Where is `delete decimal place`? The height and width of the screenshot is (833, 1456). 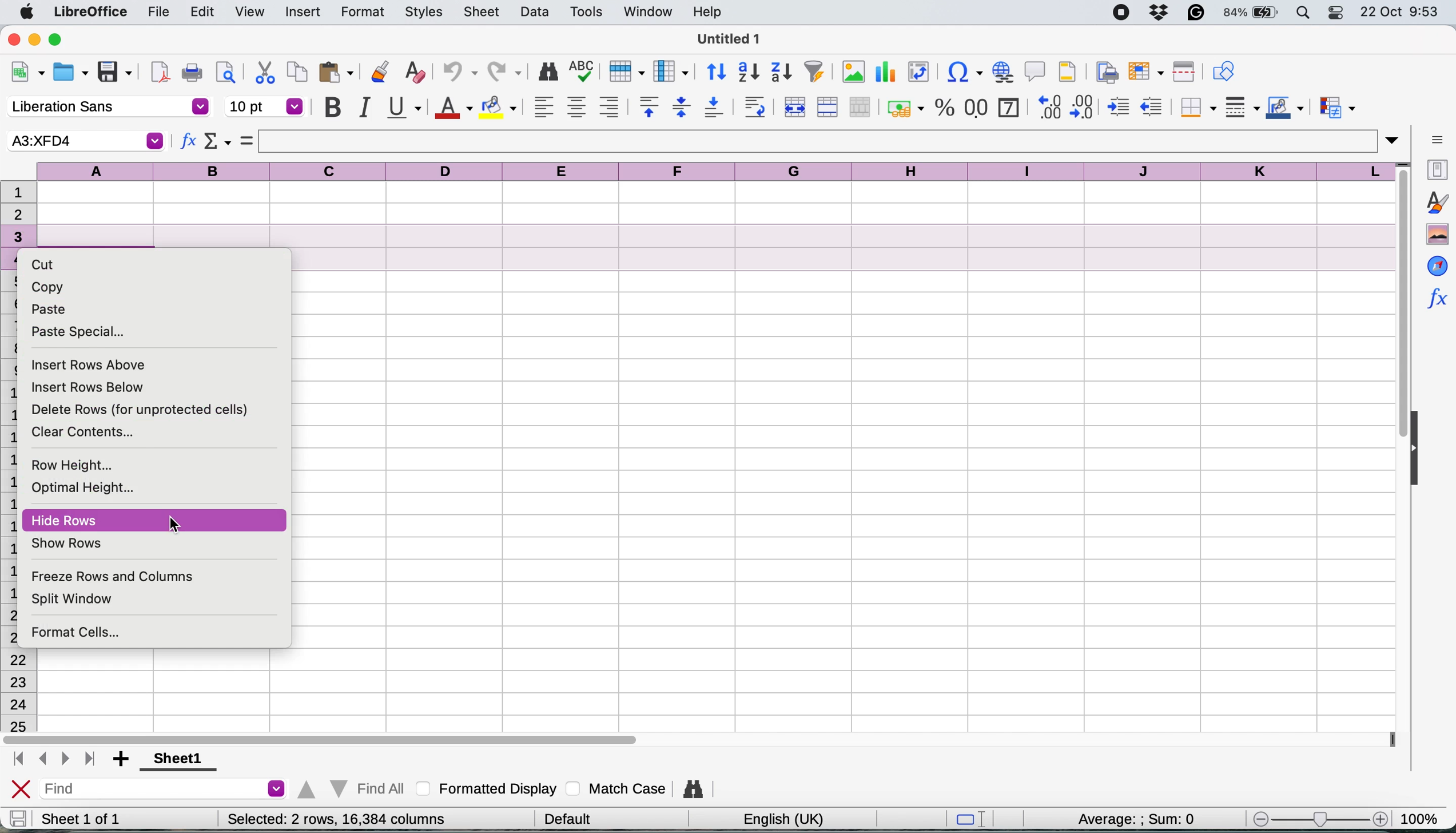 delete decimal place is located at coordinates (1085, 106).